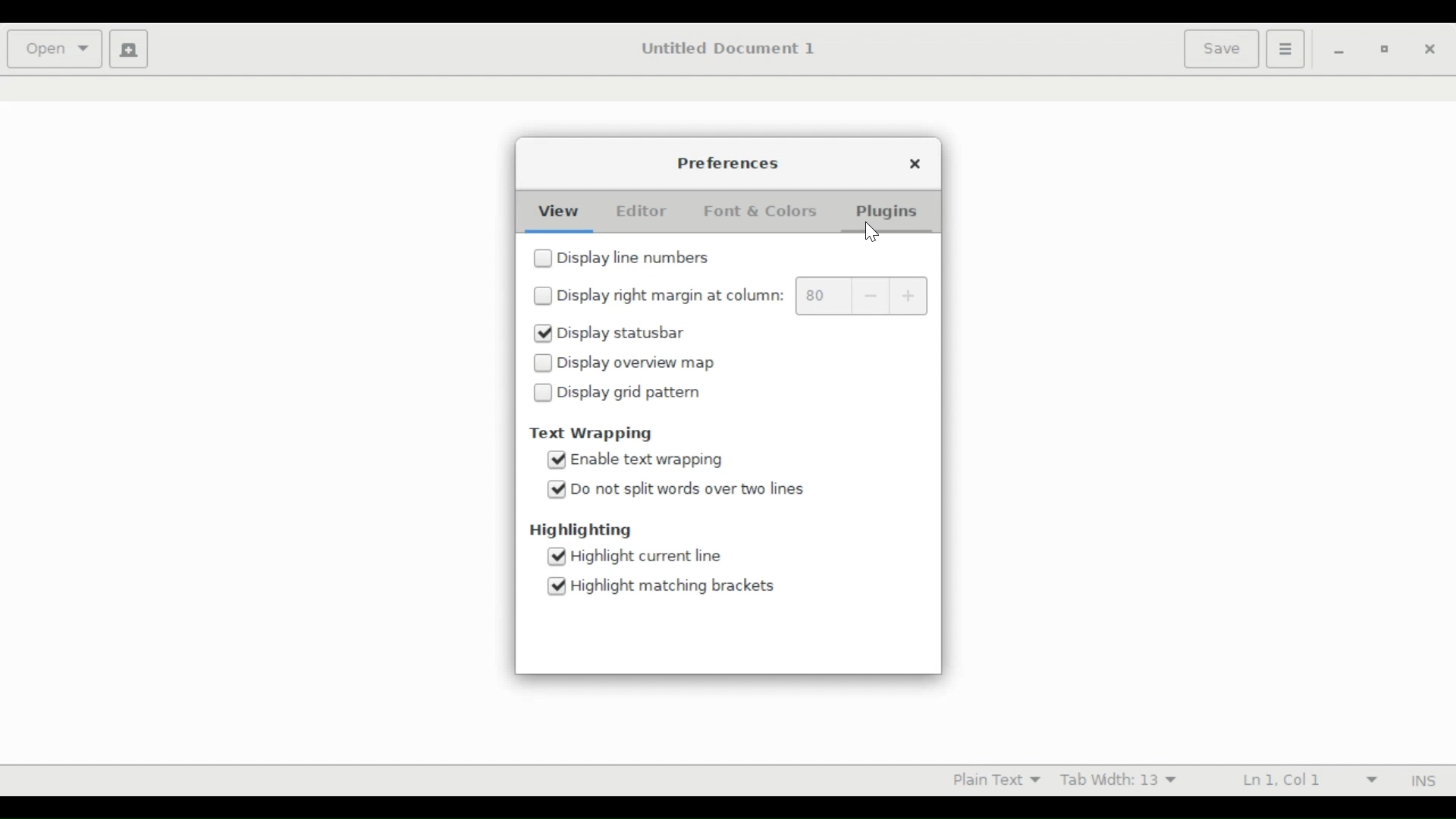  I want to click on Decrease, so click(868, 297).